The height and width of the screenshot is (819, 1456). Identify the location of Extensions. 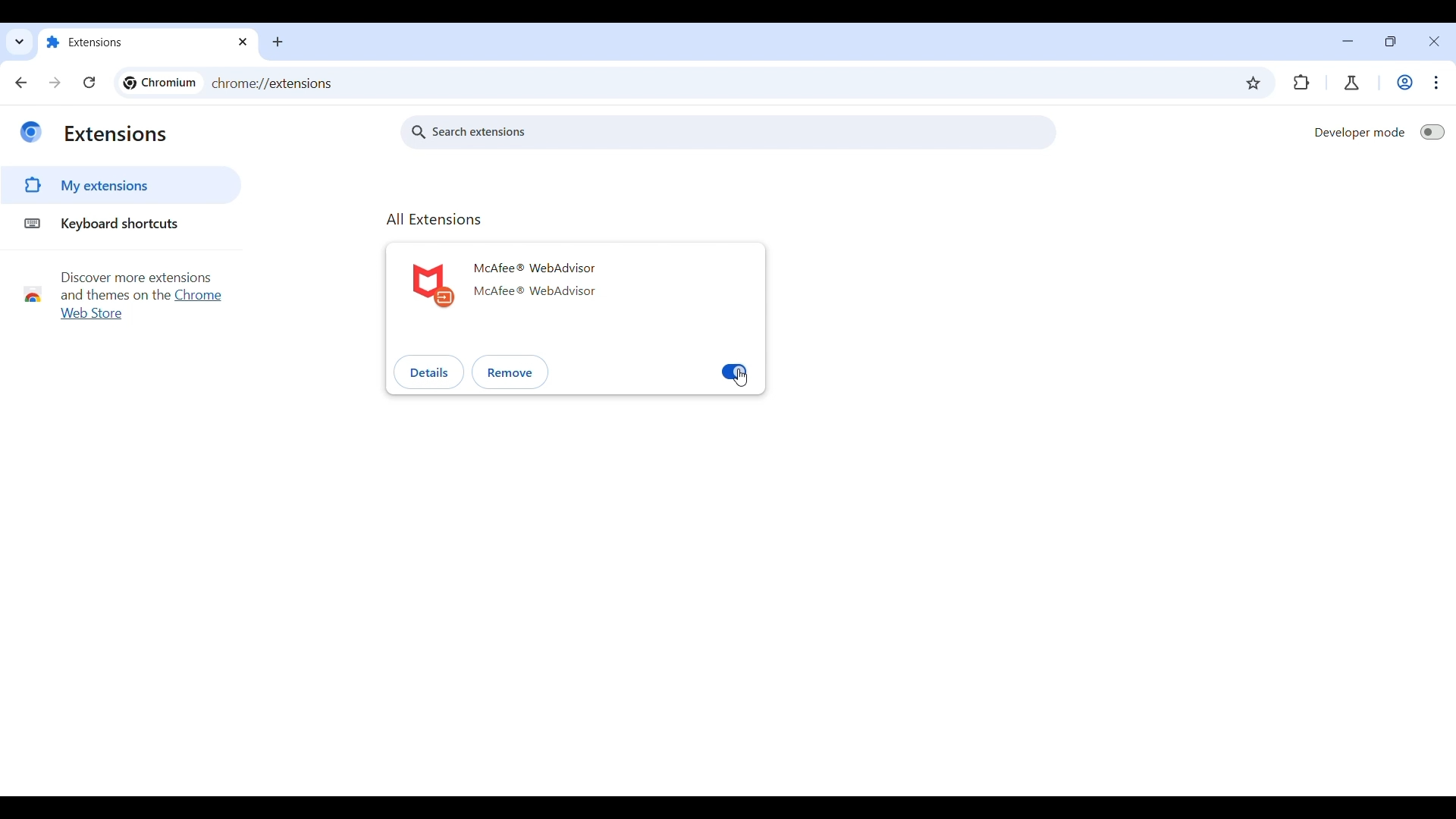
(115, 134).